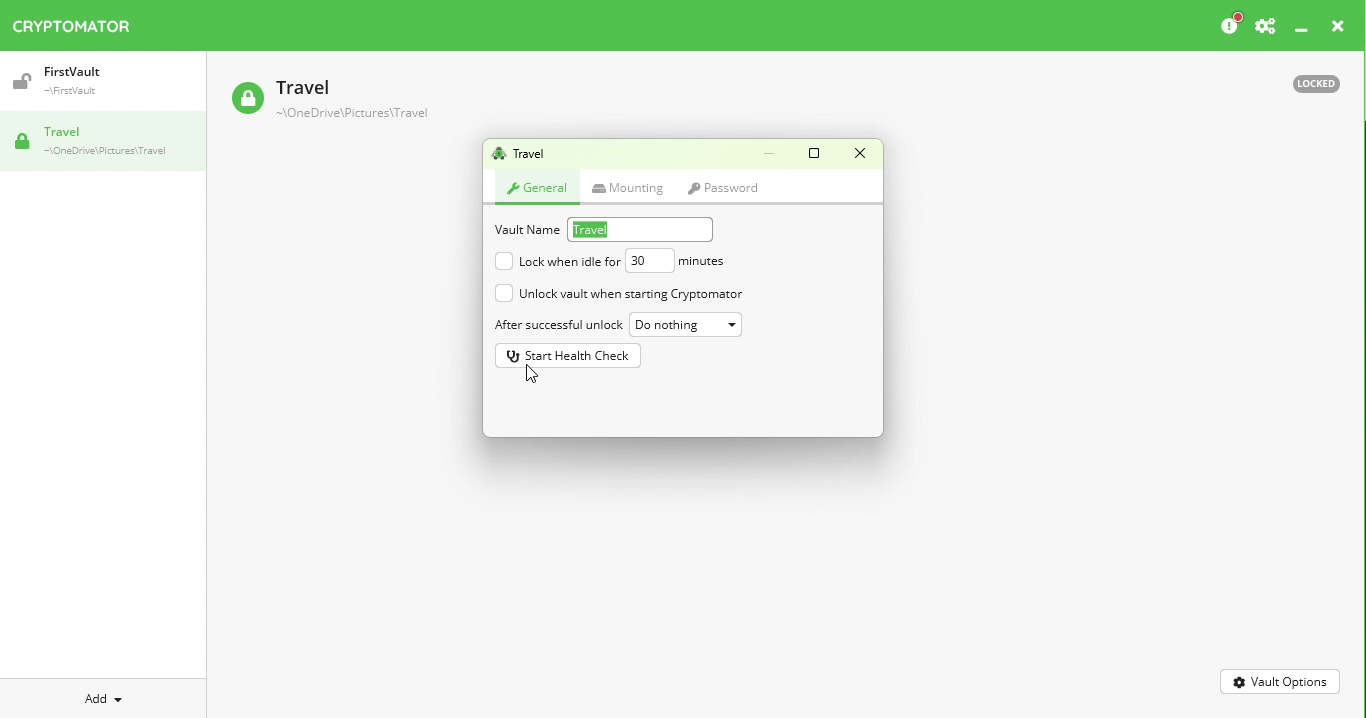  What do you see at coordinates (626, 187) in the screenshot?
I see `Mounting` at bounding box center [626, 187].